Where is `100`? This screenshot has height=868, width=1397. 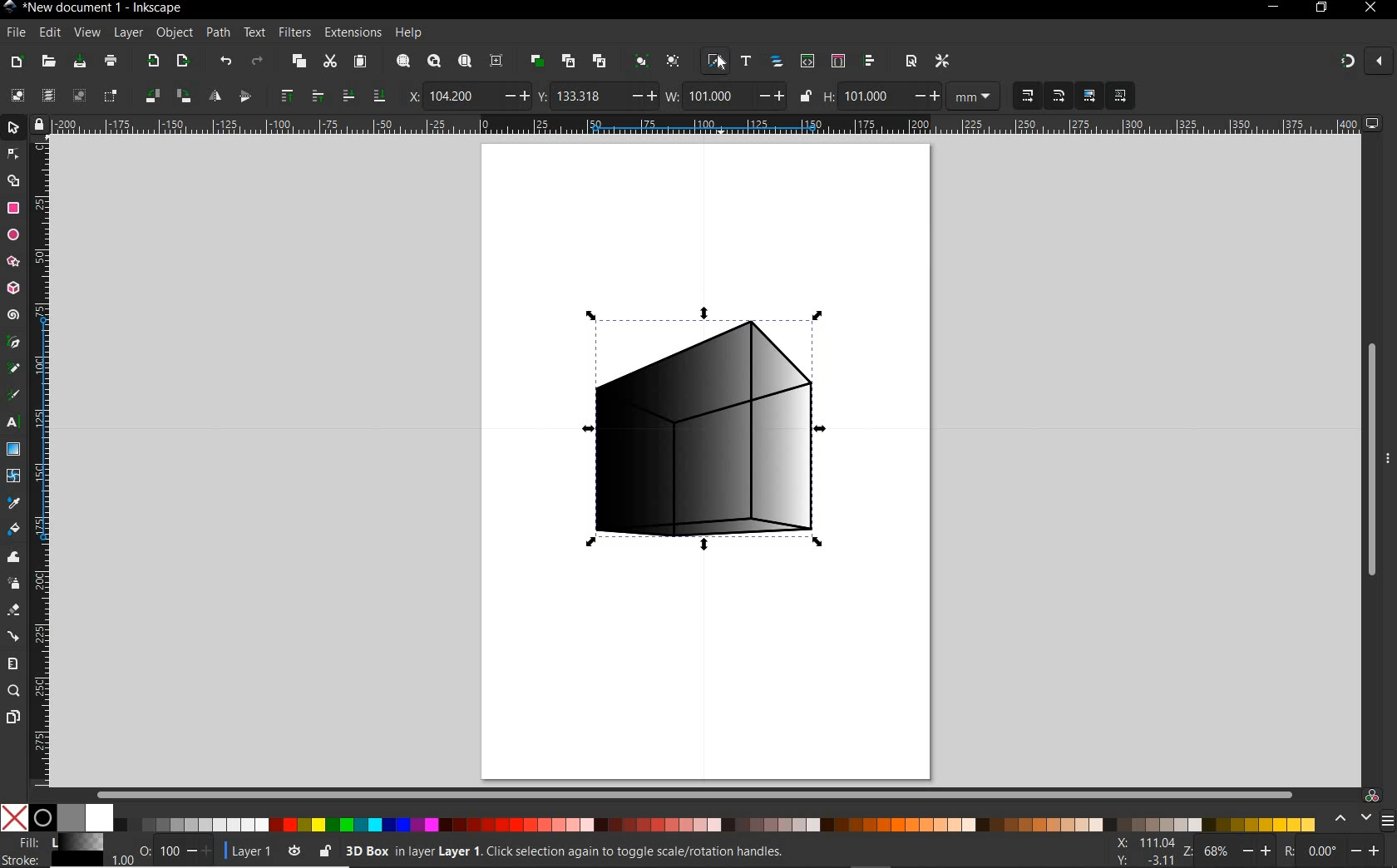 100 is located at coordinates (170, 850).